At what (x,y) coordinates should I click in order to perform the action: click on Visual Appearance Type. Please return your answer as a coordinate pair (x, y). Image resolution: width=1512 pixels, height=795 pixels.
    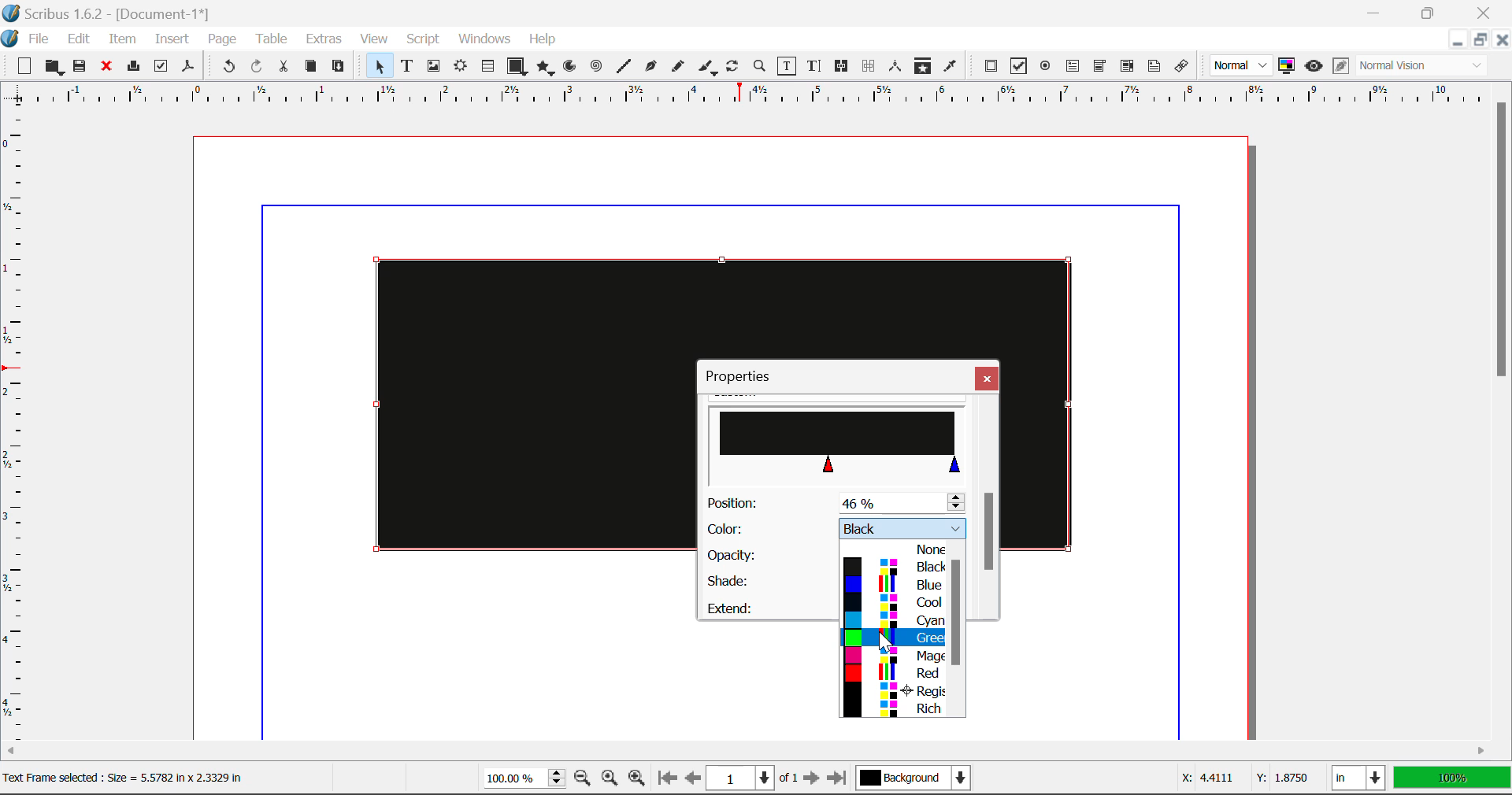
    Looking at the image, I should click on (1423, 67).